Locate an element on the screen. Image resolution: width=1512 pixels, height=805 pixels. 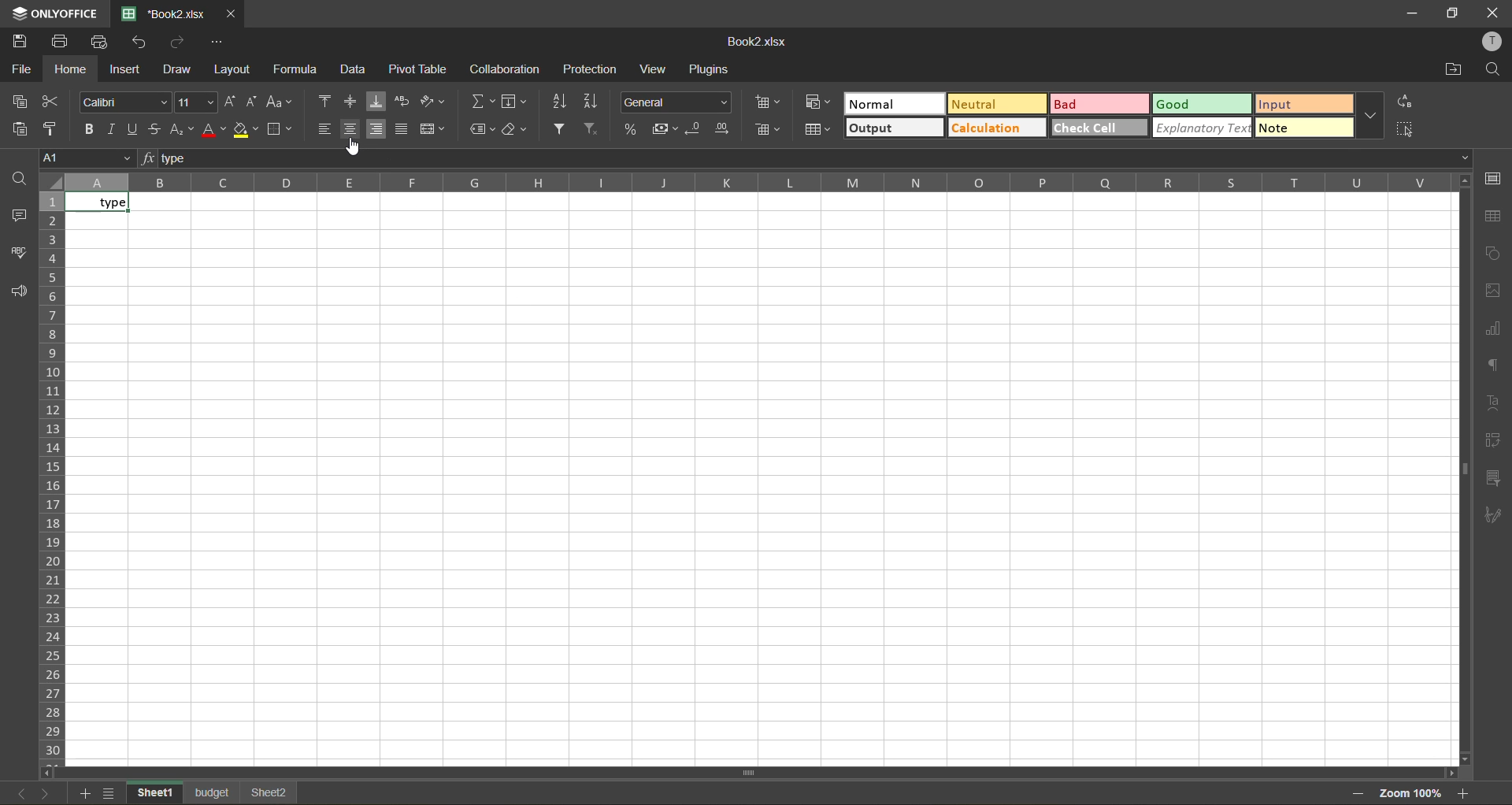
sheet list is located at coordinates (113, 792).